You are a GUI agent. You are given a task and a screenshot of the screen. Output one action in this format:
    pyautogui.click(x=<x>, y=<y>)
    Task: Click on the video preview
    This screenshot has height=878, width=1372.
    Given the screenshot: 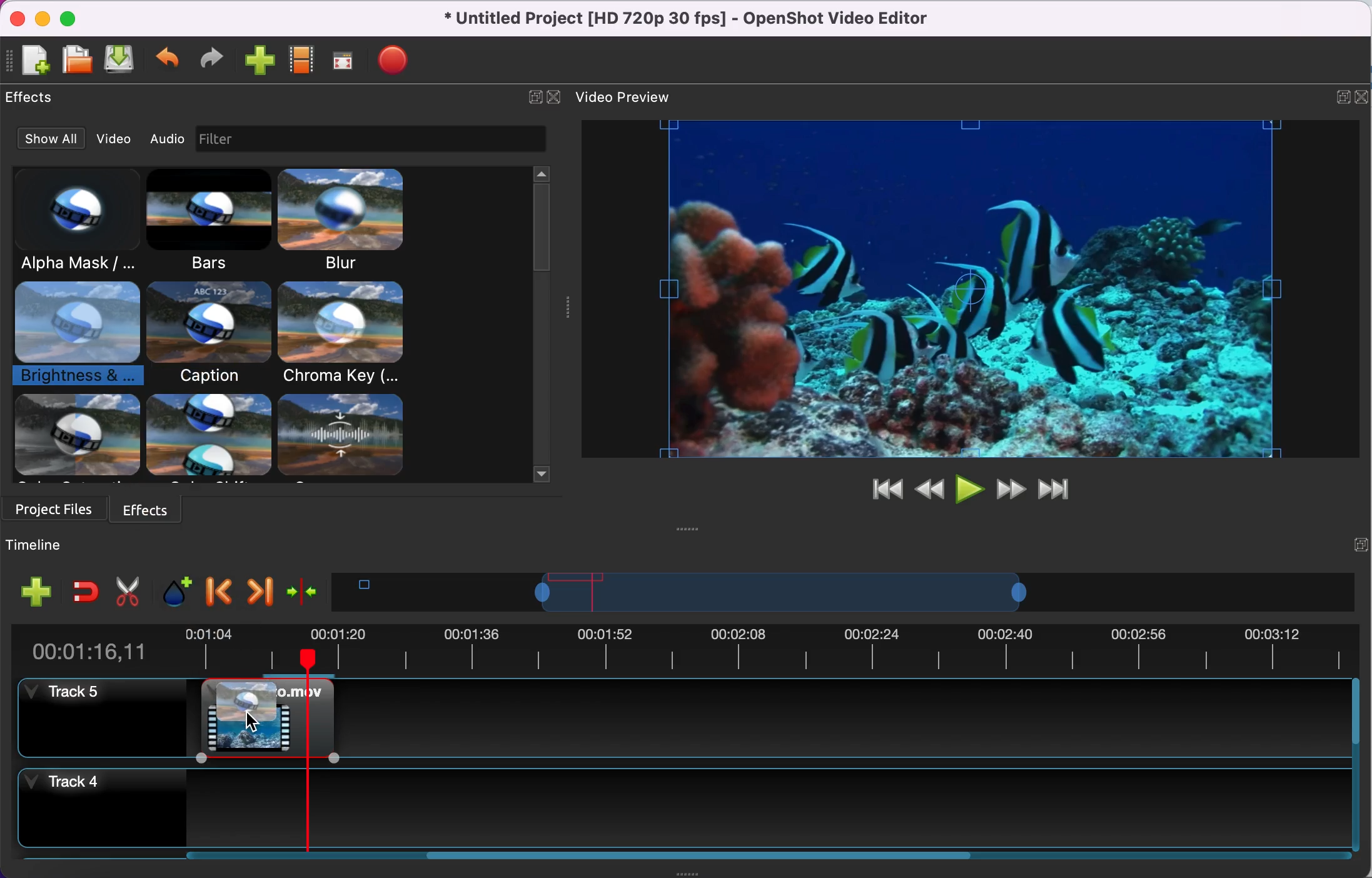 What is the action you would take?
    pyautogui.click(x=968, y=291)
    